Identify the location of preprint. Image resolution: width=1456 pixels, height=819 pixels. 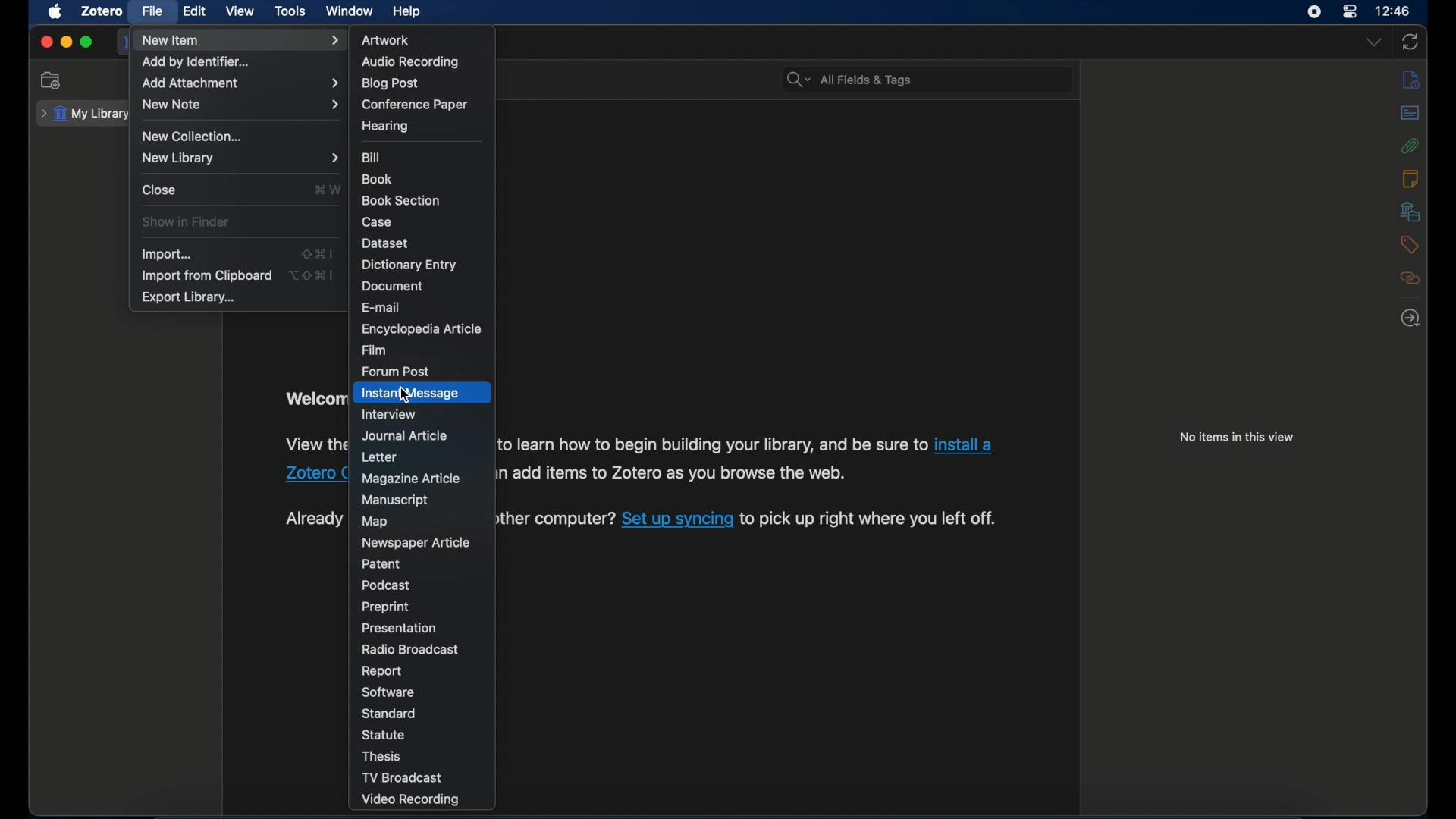
(385, 607).